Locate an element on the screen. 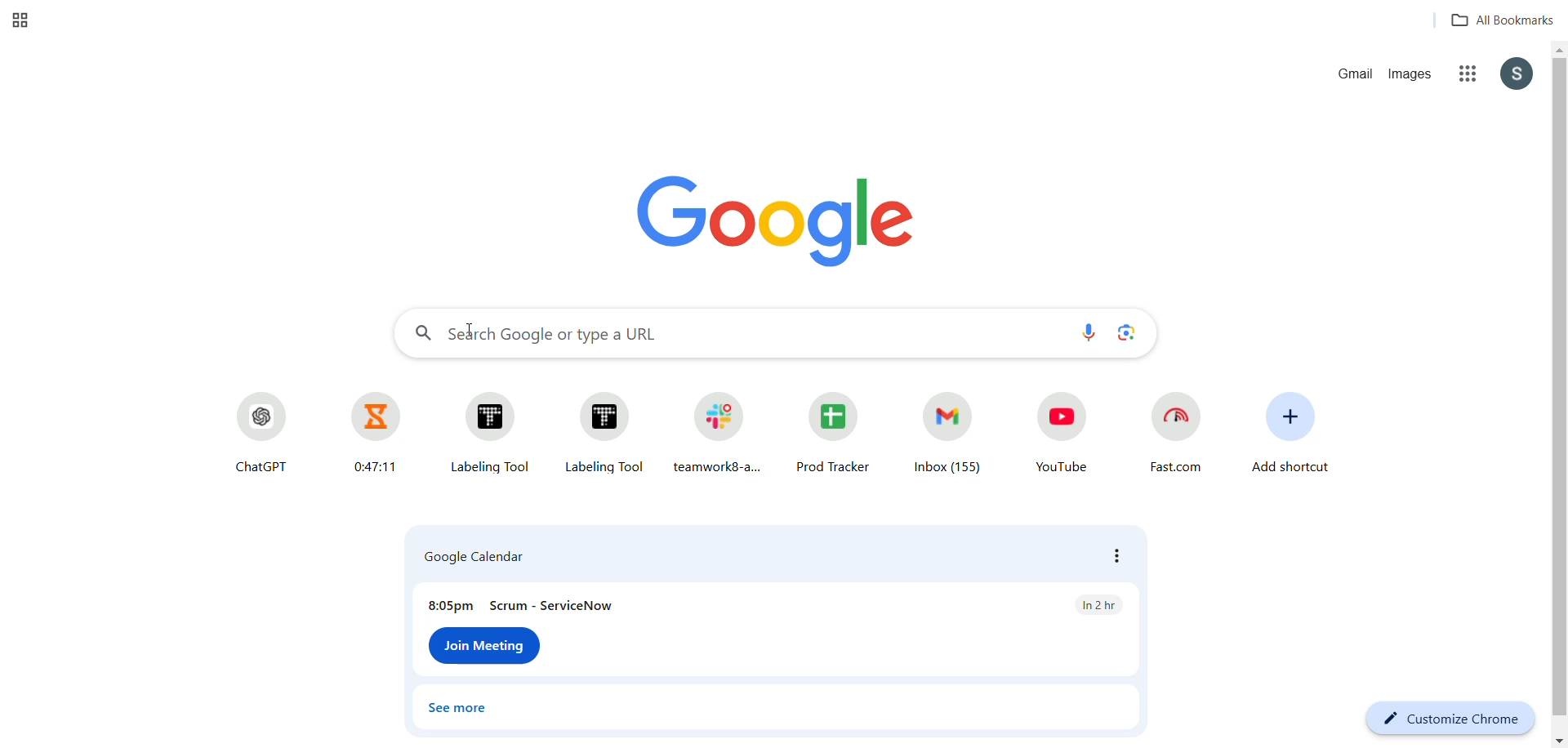 Image resolution: width=1568 pixels, height=748 pixels. add shortcut is located at coordinates (1290, 439).